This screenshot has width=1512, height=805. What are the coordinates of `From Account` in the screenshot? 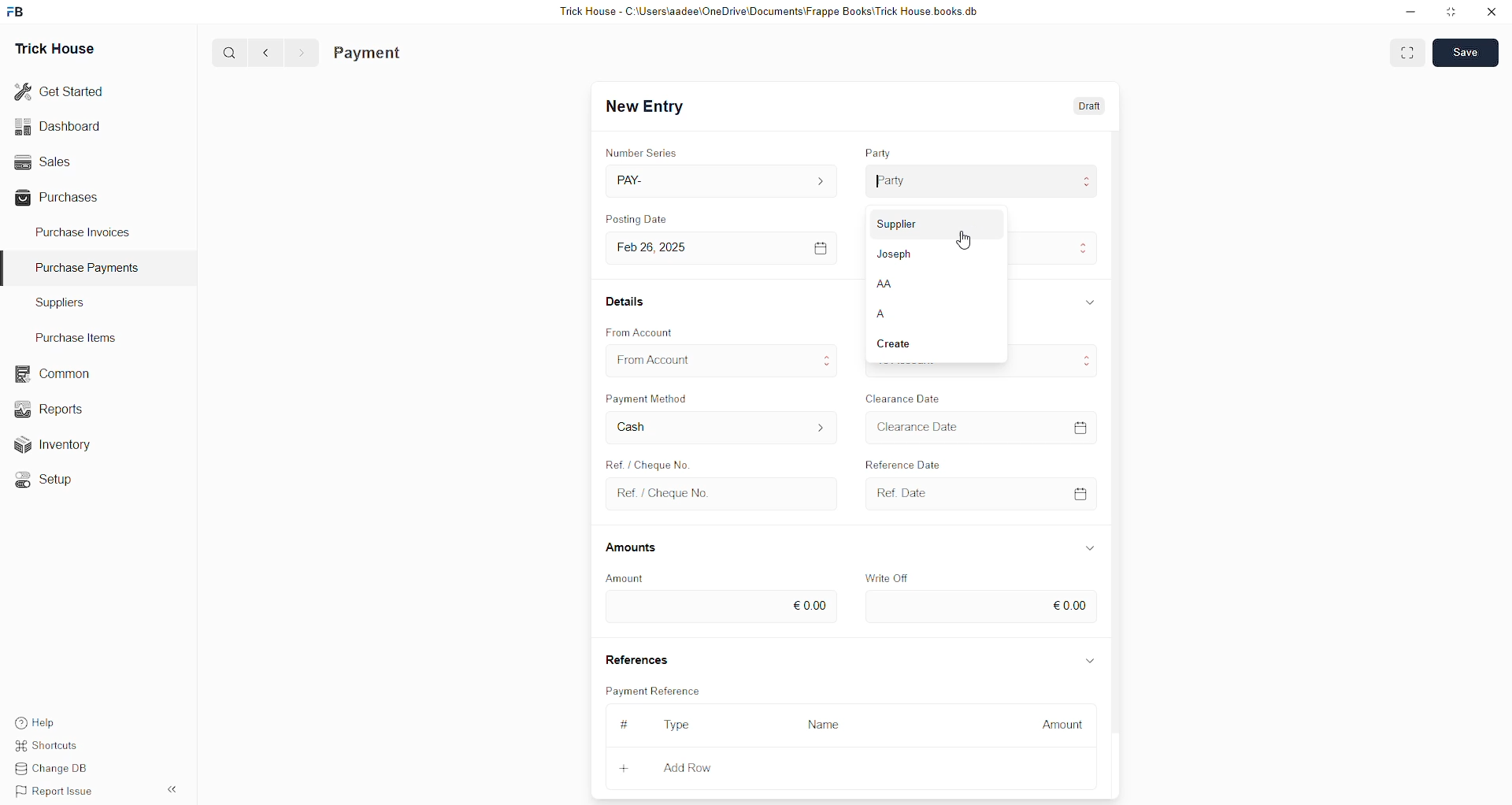 It's located at (642, 331).